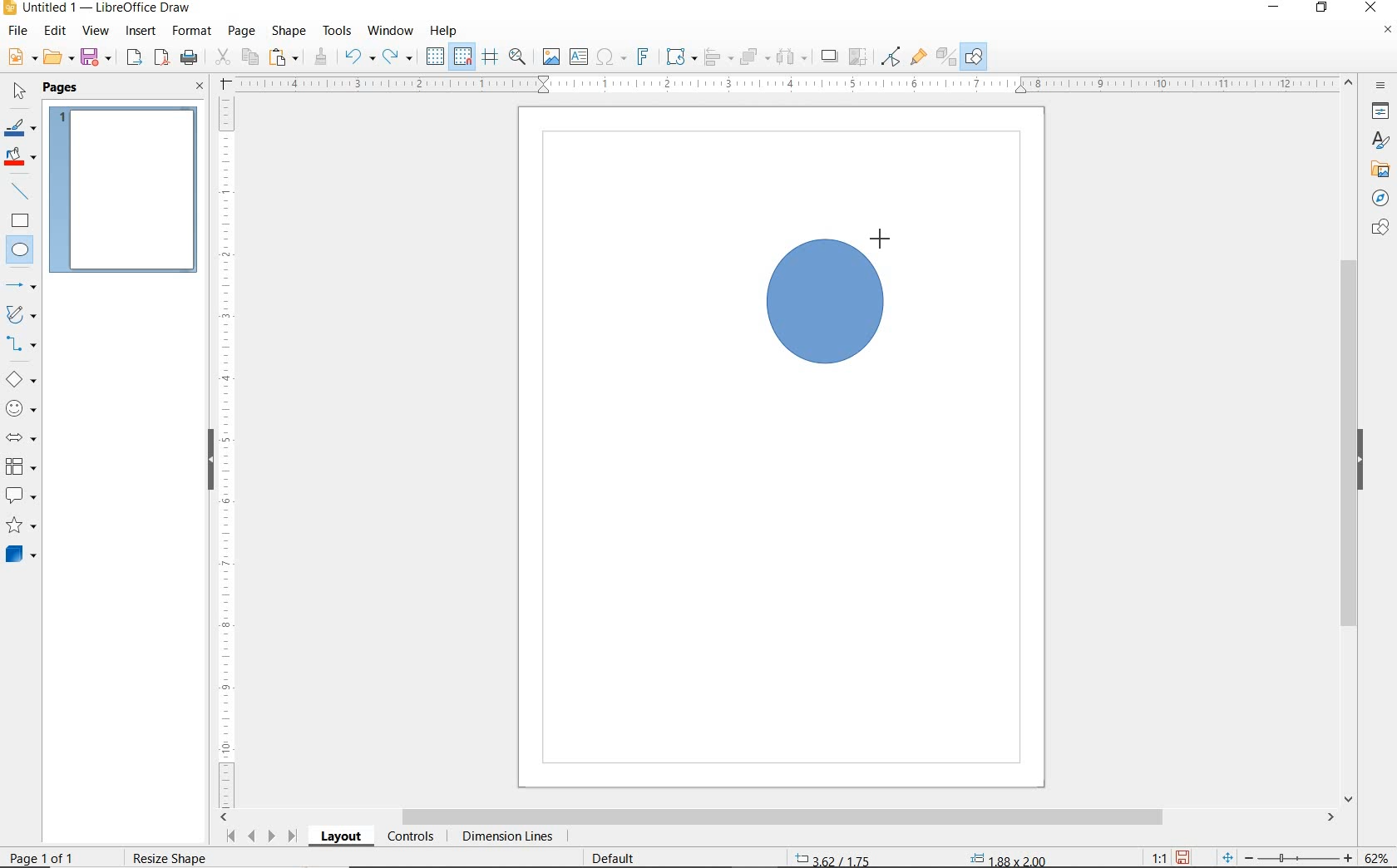  What do you see at coordinates (223, 57) in the screenshot?
I see `CUT` at bounding box center [223, 57].